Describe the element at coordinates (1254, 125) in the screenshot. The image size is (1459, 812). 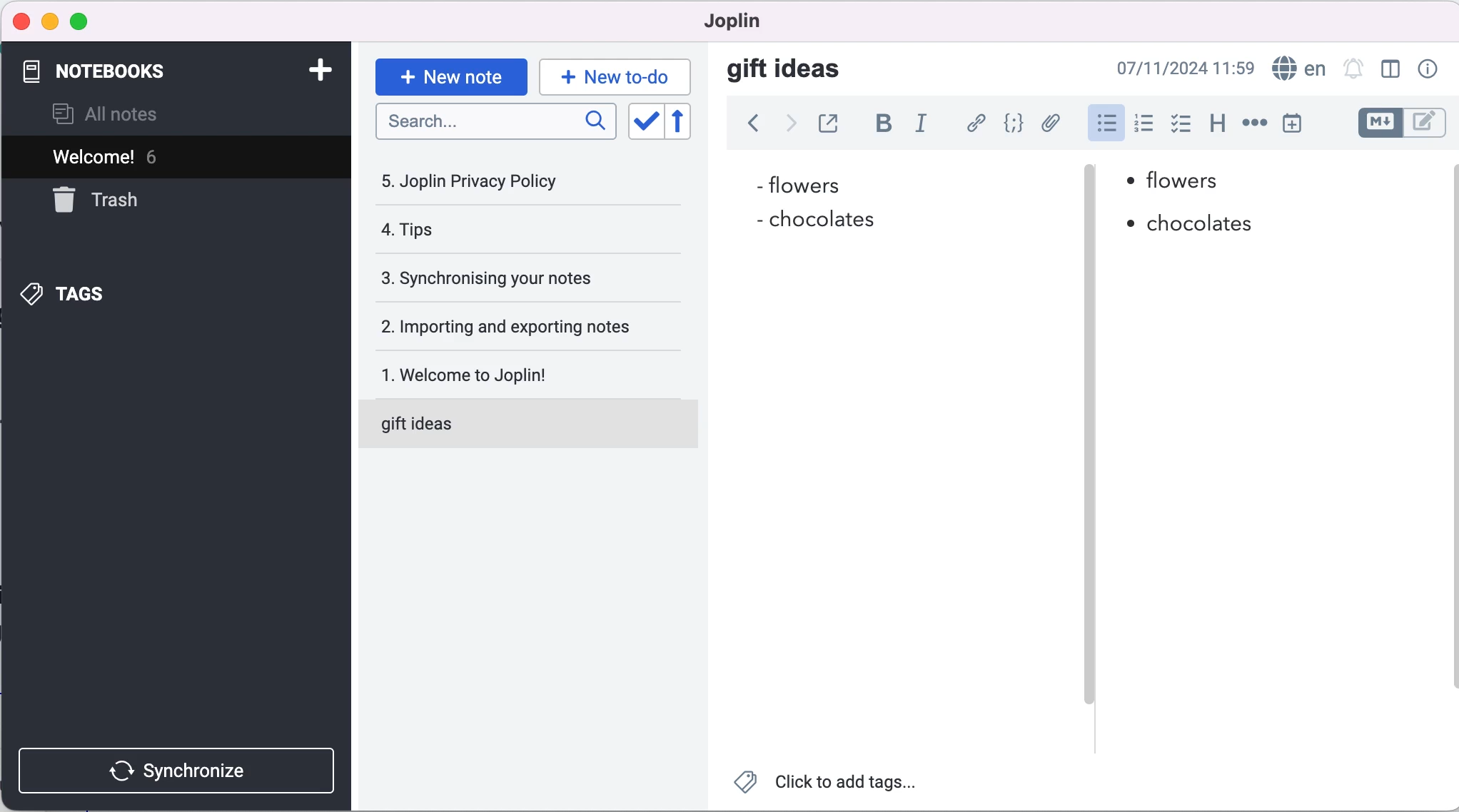
I see `horizontal rule` at that location.